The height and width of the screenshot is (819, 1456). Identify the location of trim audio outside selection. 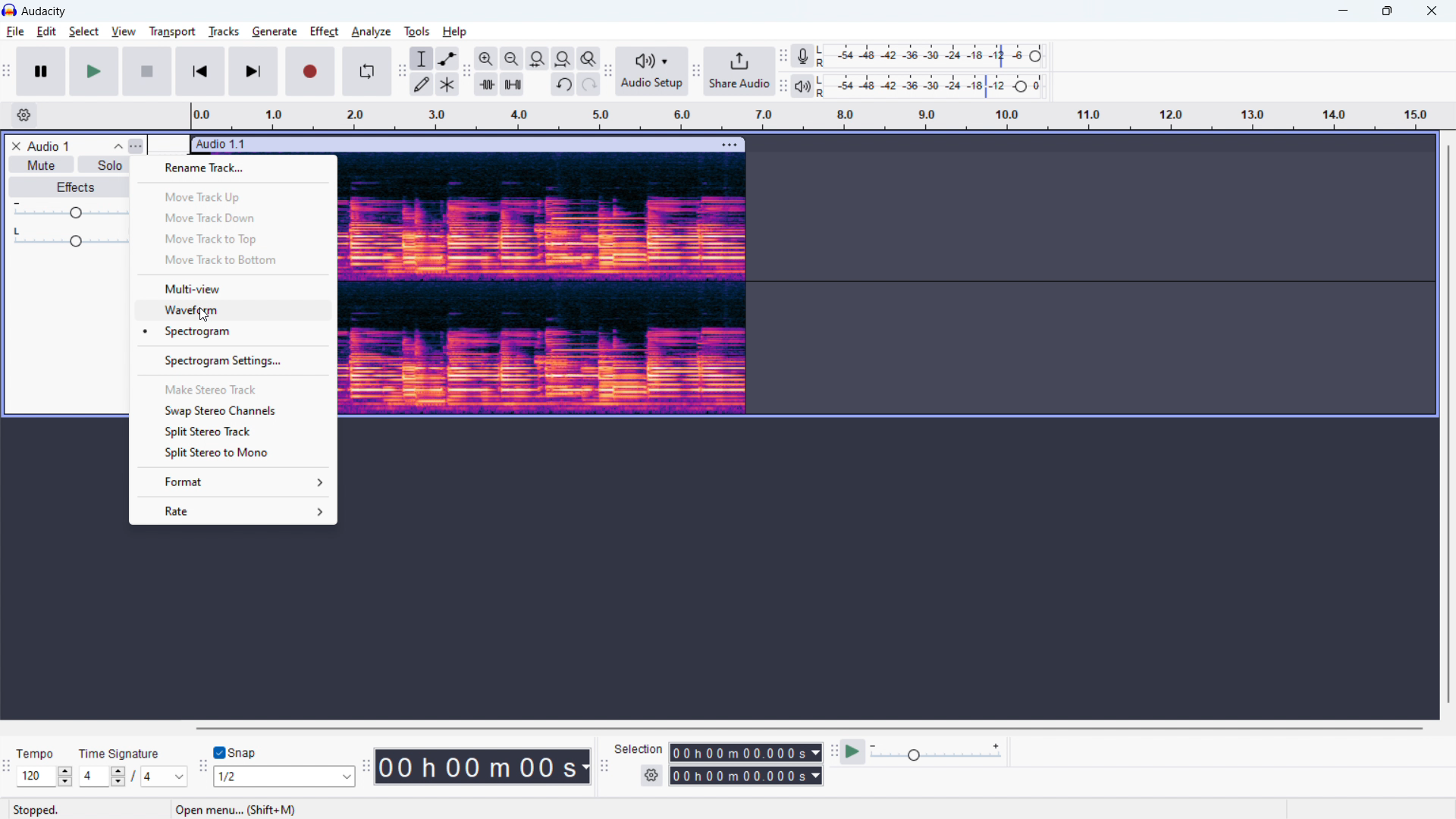
(486, 83).